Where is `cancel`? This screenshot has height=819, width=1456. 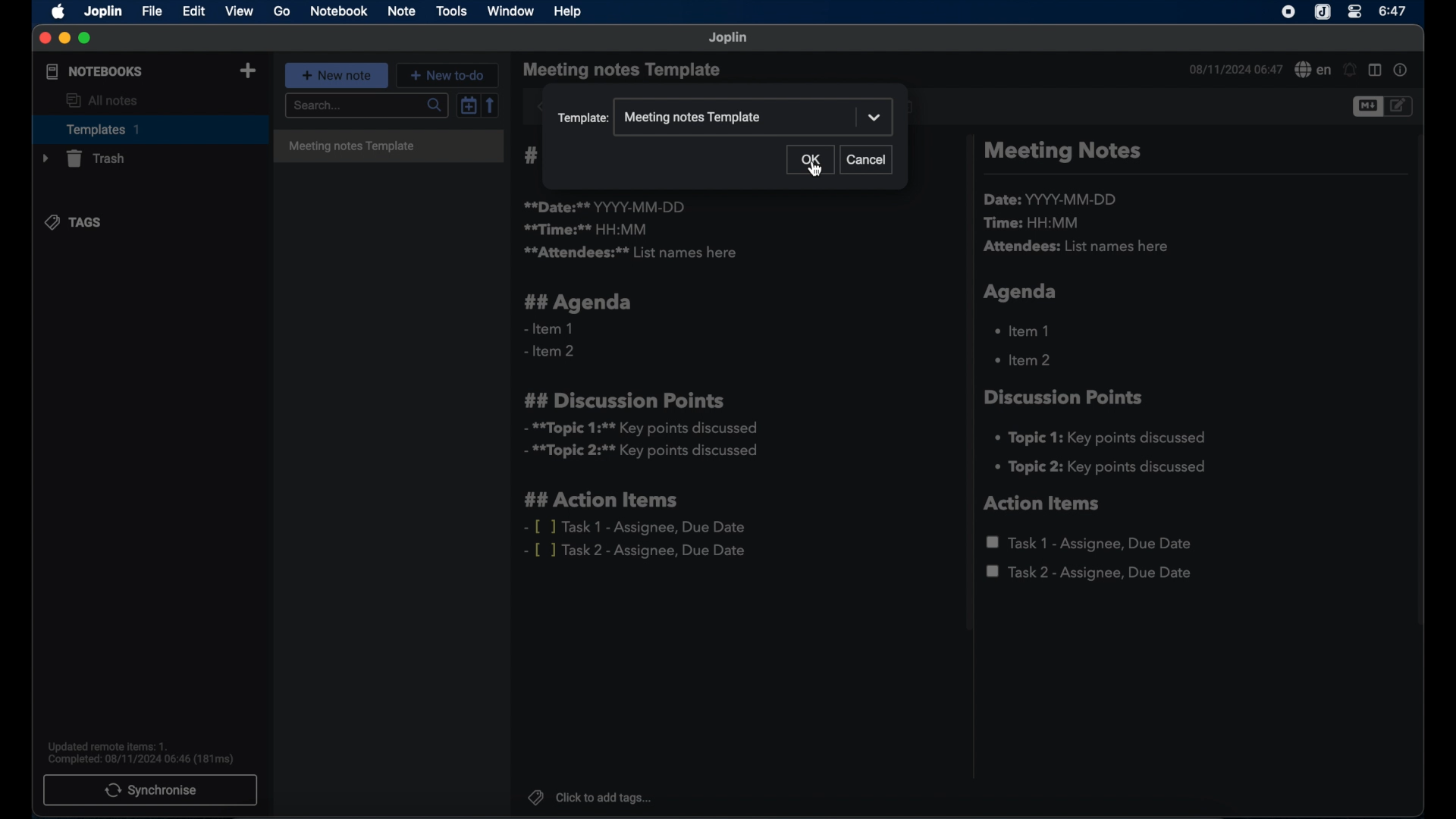 cancel is located at coordinates (868, 159).